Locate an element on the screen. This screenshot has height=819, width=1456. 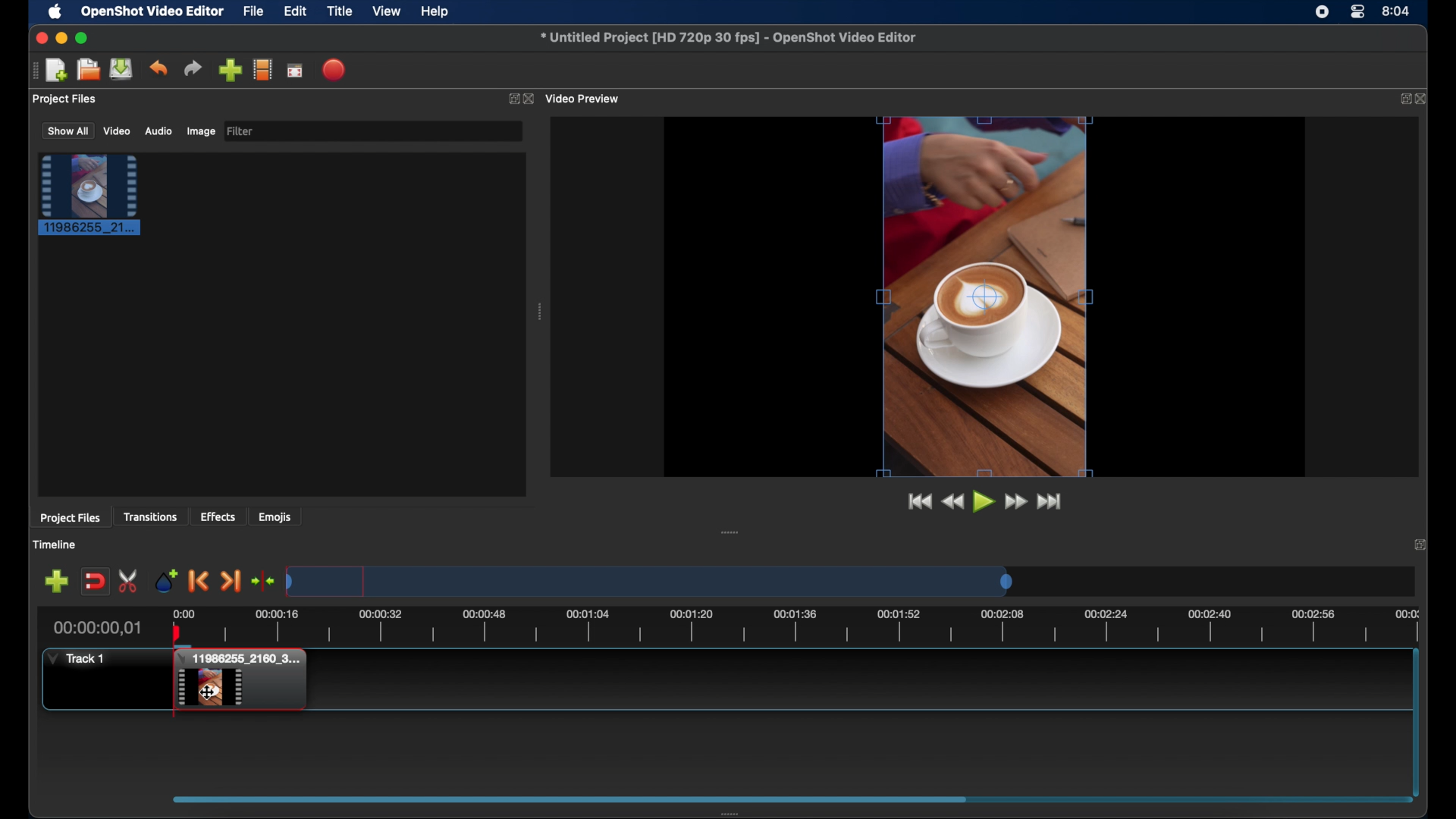
full screen is located at coordinates (295, 69).